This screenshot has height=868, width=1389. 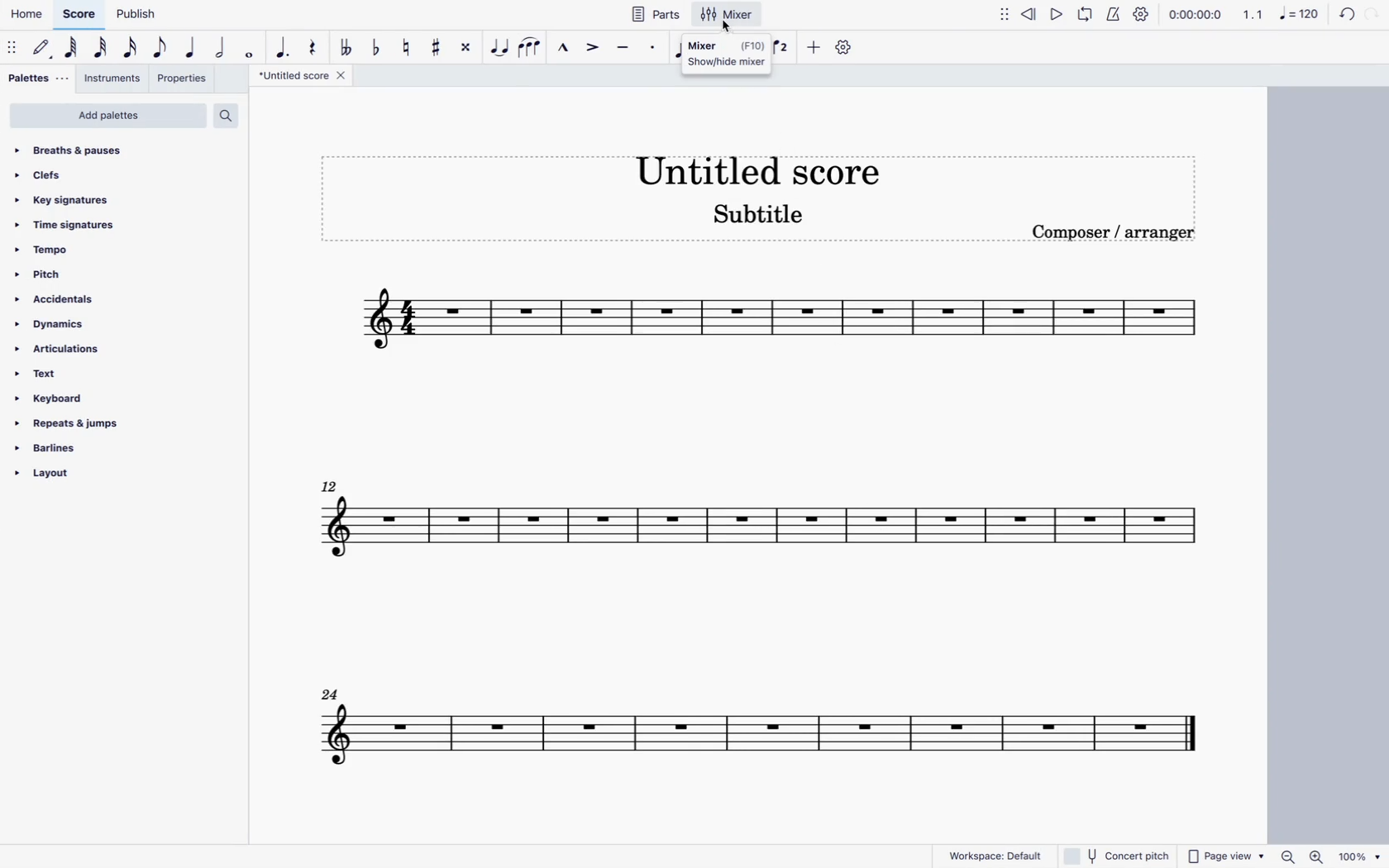 What do you see at coordinates (469, 46) in the screenshot?
I see `toggle double sharp` at bounding box center [469, 46].